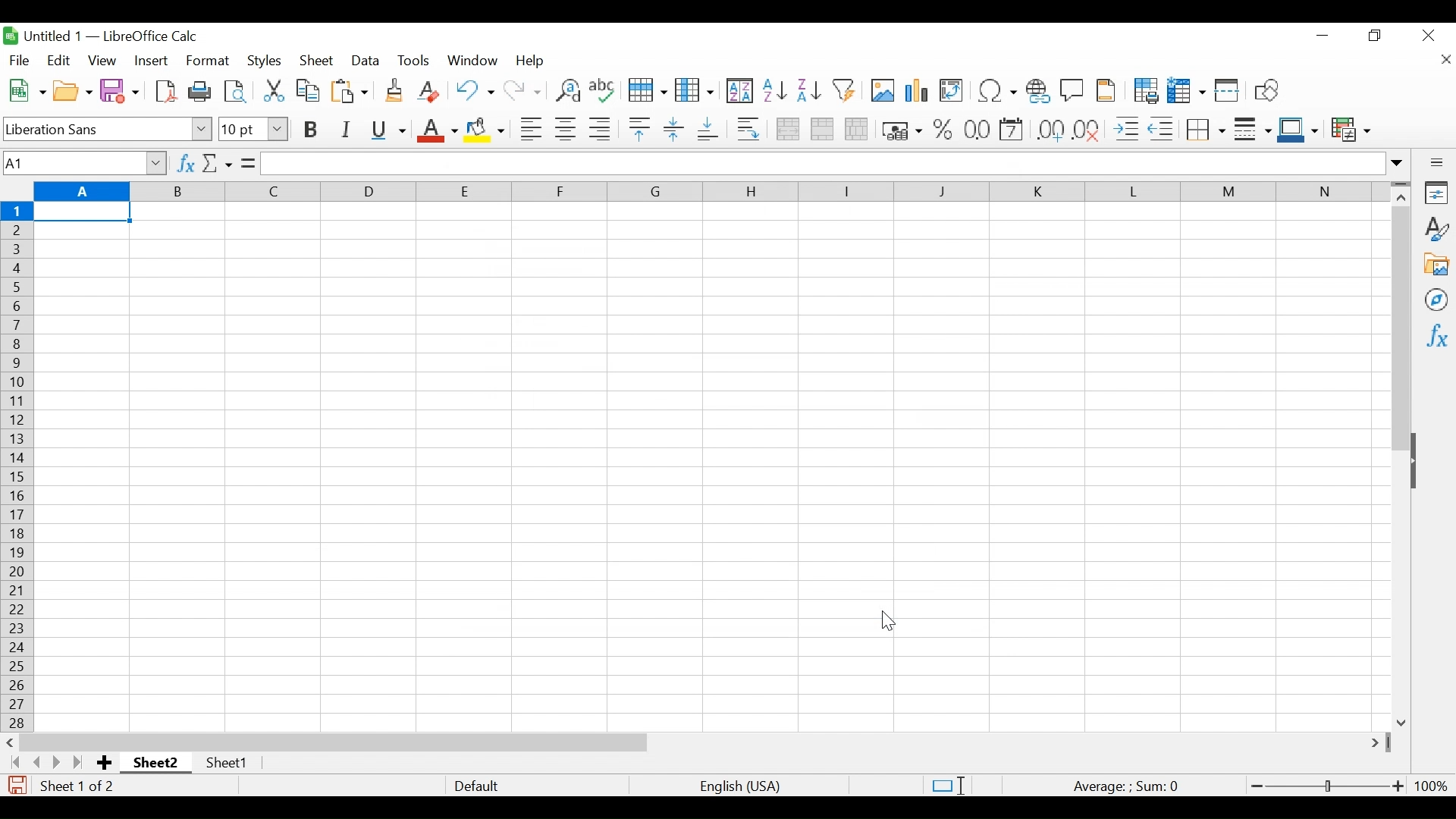 The image size is (1456, 819). What do you see at coordinates (156, 762) in the screenshot?
I see `Sheet name` at bounding box center [156, 762].